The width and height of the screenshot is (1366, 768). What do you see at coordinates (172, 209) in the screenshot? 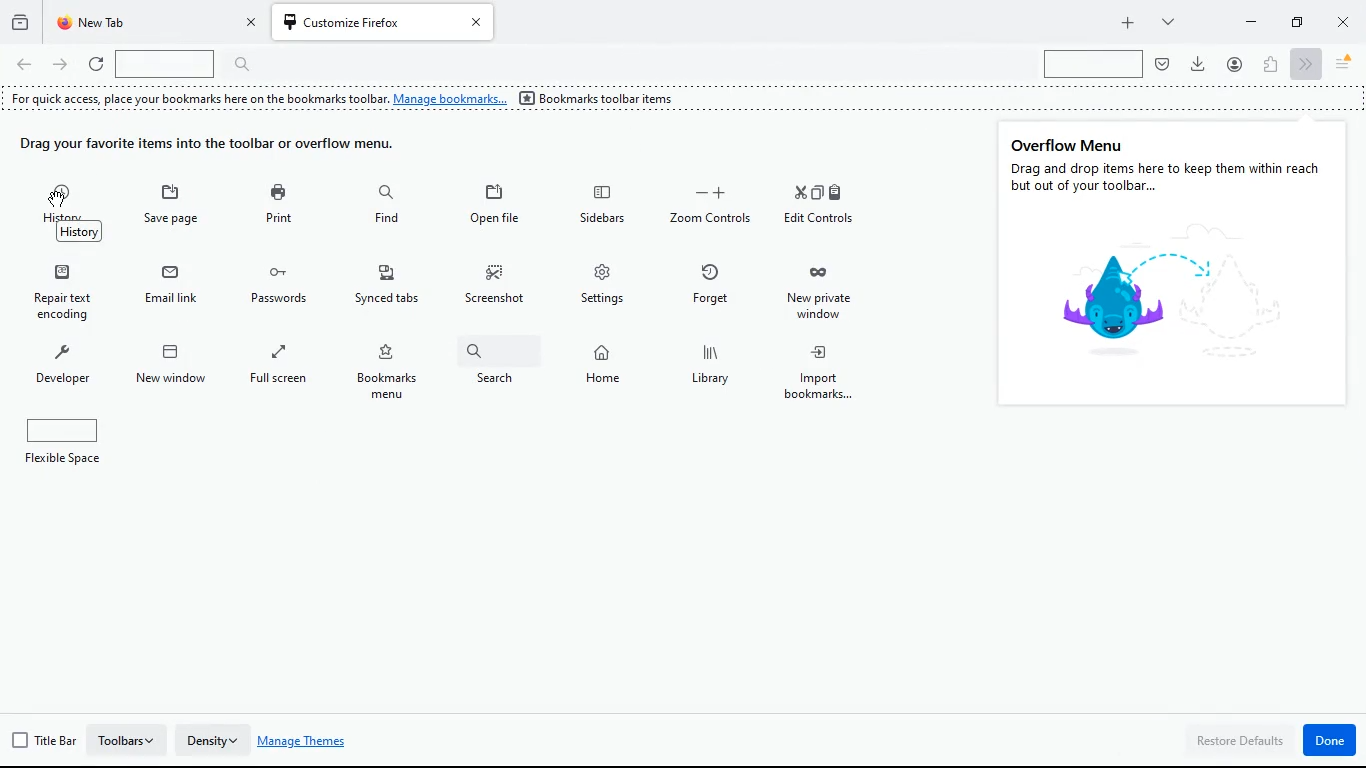
I see `save page` at bounding box center [172, 209].